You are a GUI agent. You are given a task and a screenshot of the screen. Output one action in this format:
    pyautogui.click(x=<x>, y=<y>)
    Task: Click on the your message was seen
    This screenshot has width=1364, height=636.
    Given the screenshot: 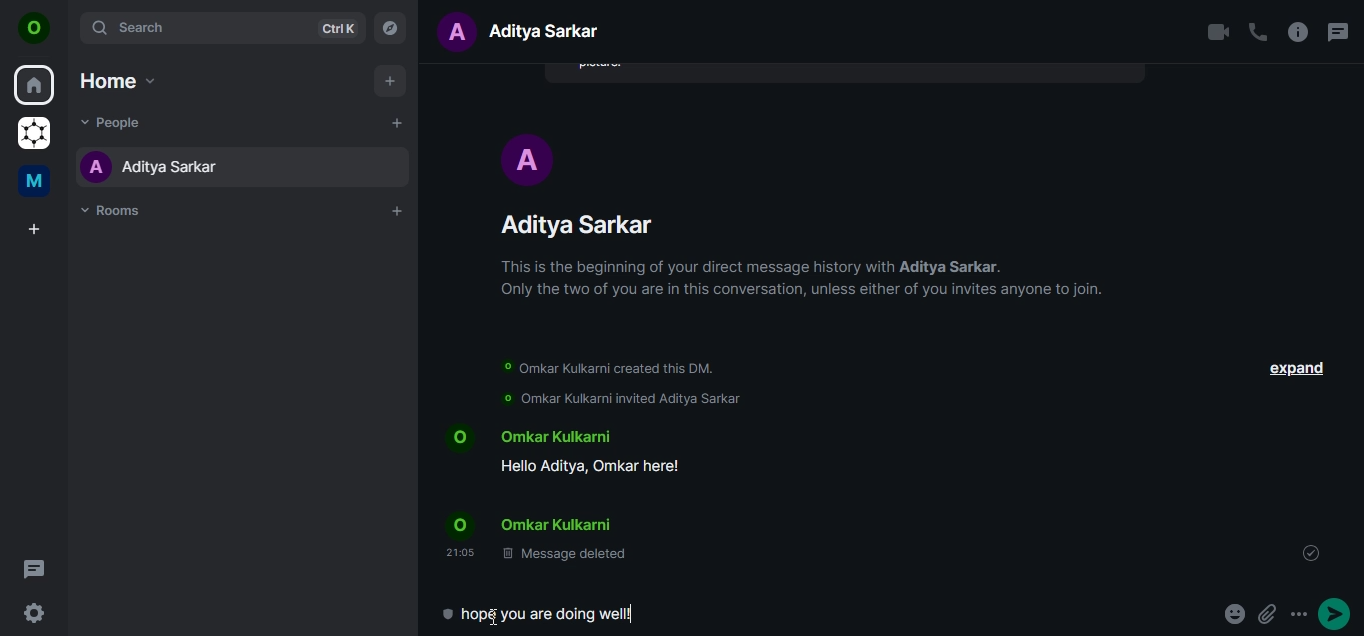 What is the action you would take?
    pyautogui.click(x=1310, y=551)
    